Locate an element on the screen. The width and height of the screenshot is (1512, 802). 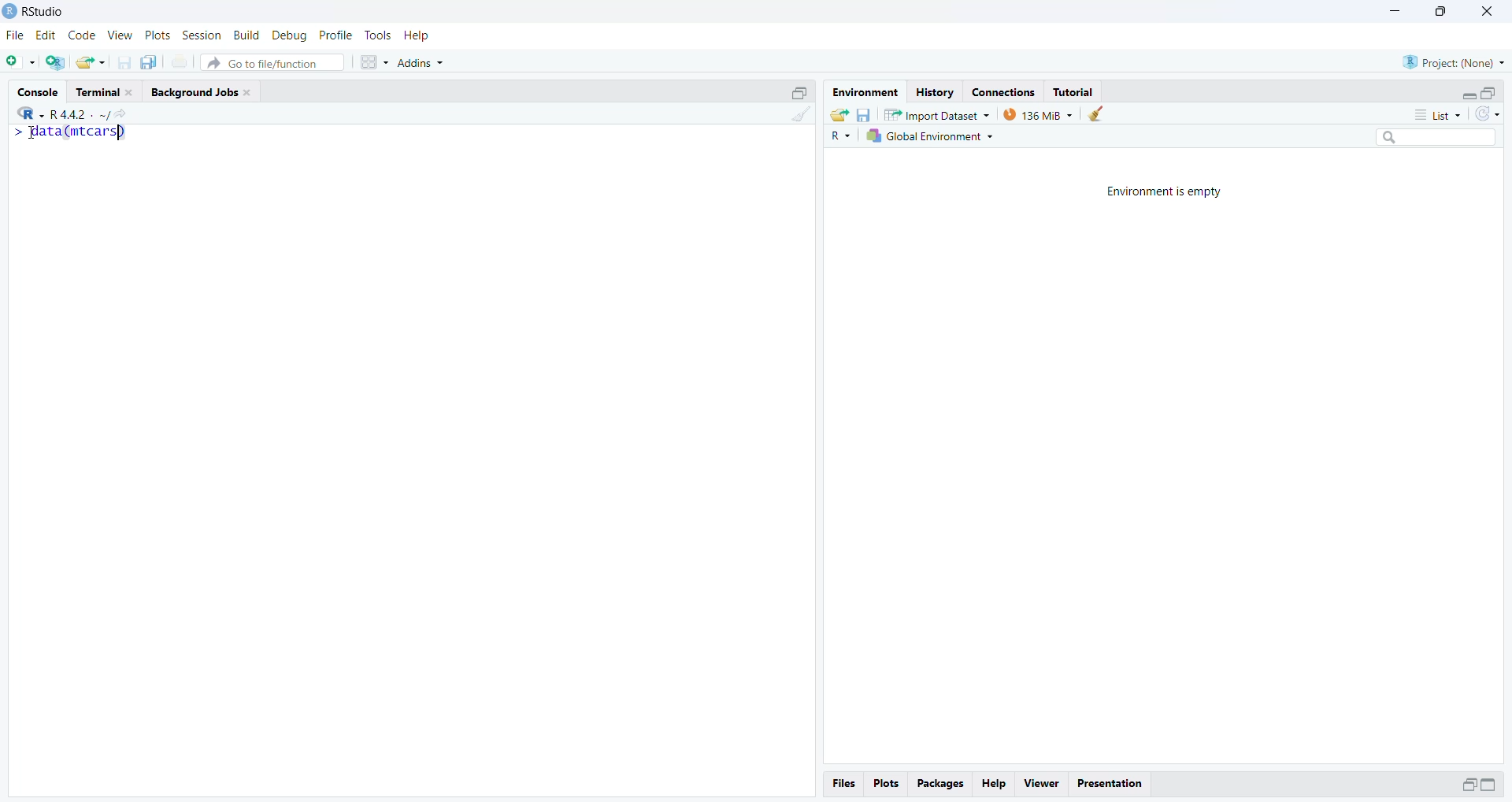
Environment is located at coordinates (865, 92).